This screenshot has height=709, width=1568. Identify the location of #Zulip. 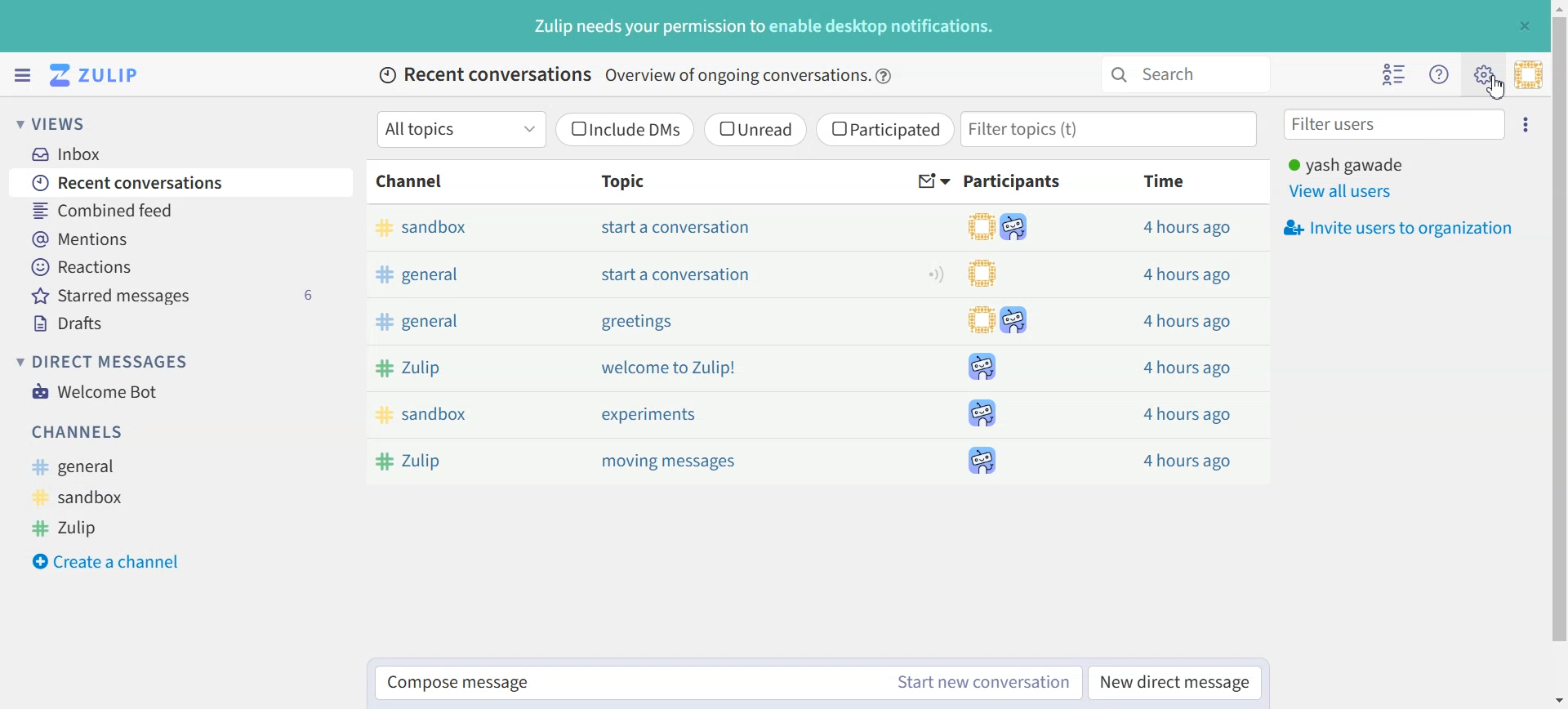
(430, 459).